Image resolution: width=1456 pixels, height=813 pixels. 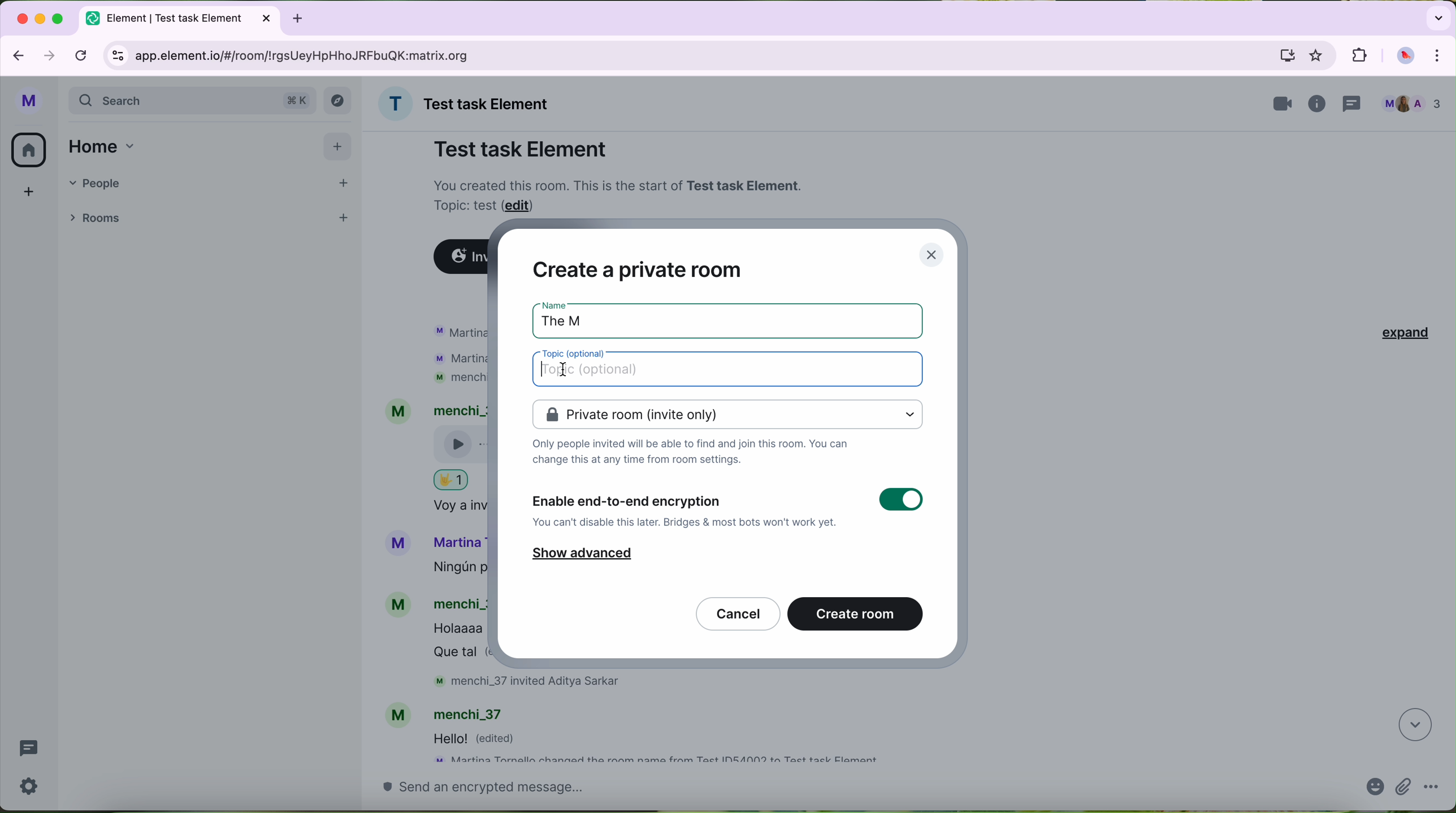 What do you see at coordinates (1411, 103) in the screenshot?
I see `people` at bounding box center [1411, 103].